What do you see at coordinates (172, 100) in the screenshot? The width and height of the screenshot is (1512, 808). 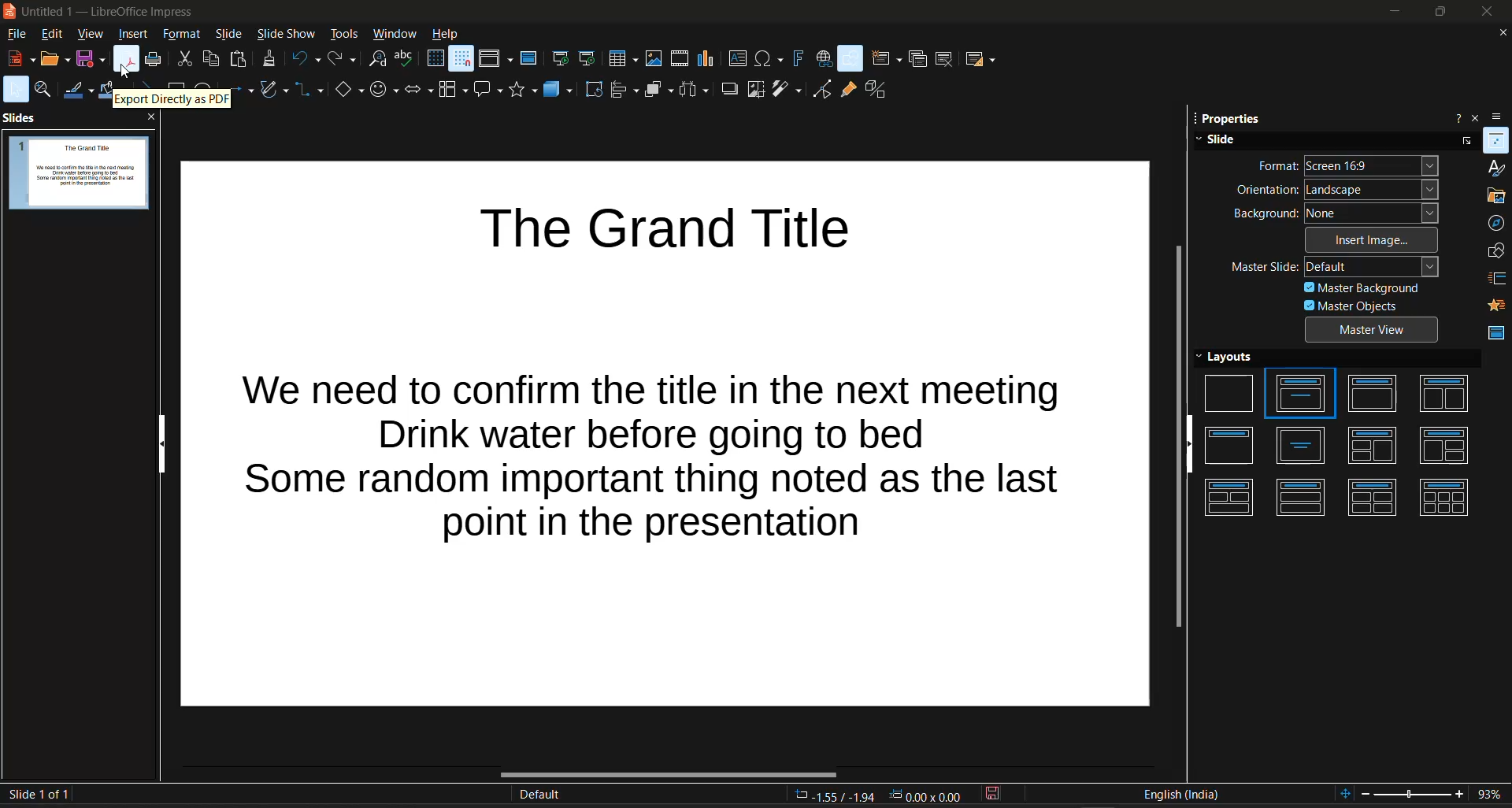 I see `export Directly as PDF` at bounding box center [172, 100].